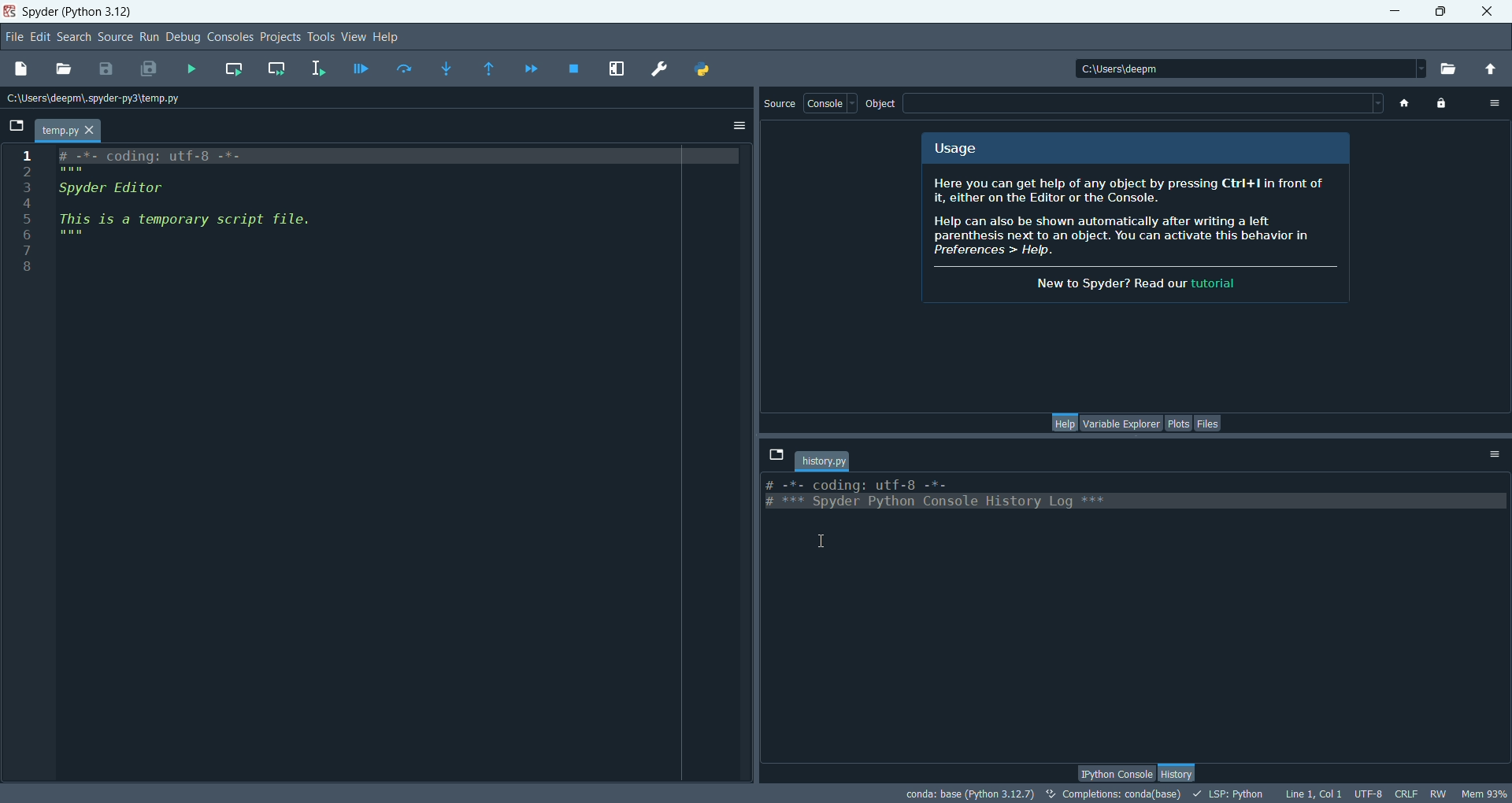 The width and height of the screenshot is (1512, 803). Describe the element at coordinates (1110, 794) in the screenshot. I see `completions:conda` at that location.